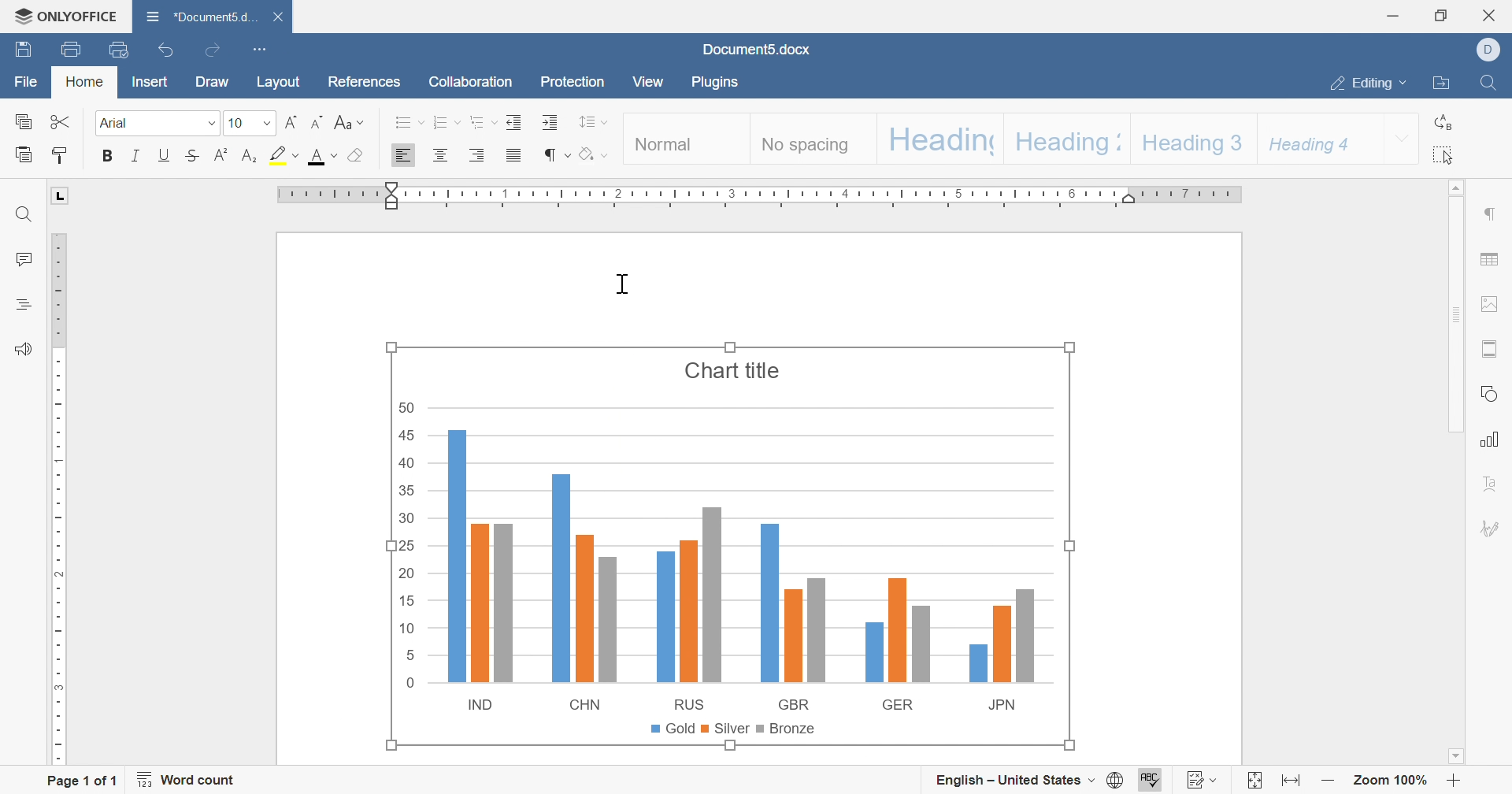 This screenshot has width=1512, height=794. What do you see at coordinates (56, 499) in the screenshot?
I see `ruler` at bounding box center [56, 499].